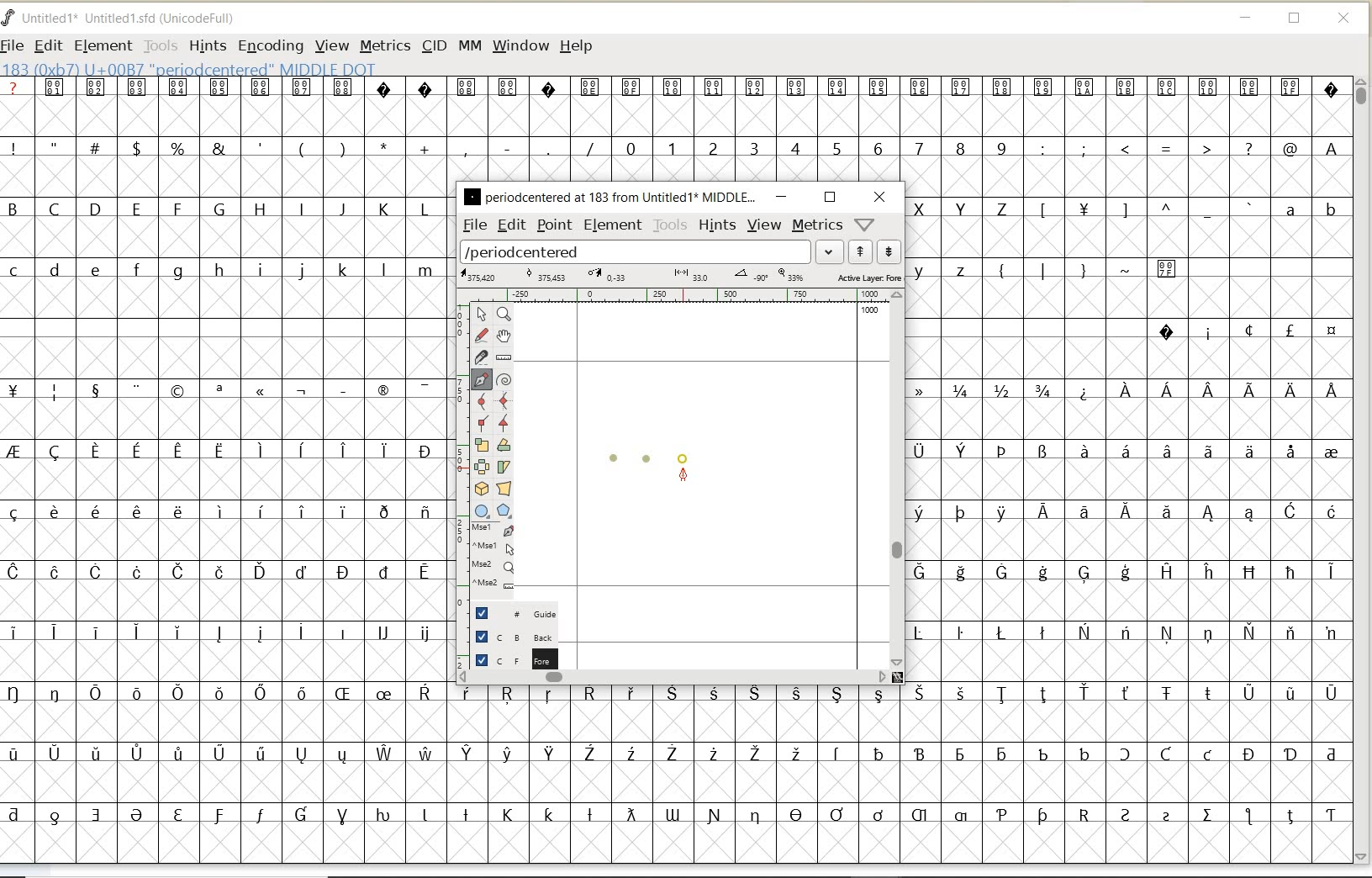  What do you see at coordinates (483, 399) in the screenshot?
I see `add a curve point` at bounding box center [483, 399].